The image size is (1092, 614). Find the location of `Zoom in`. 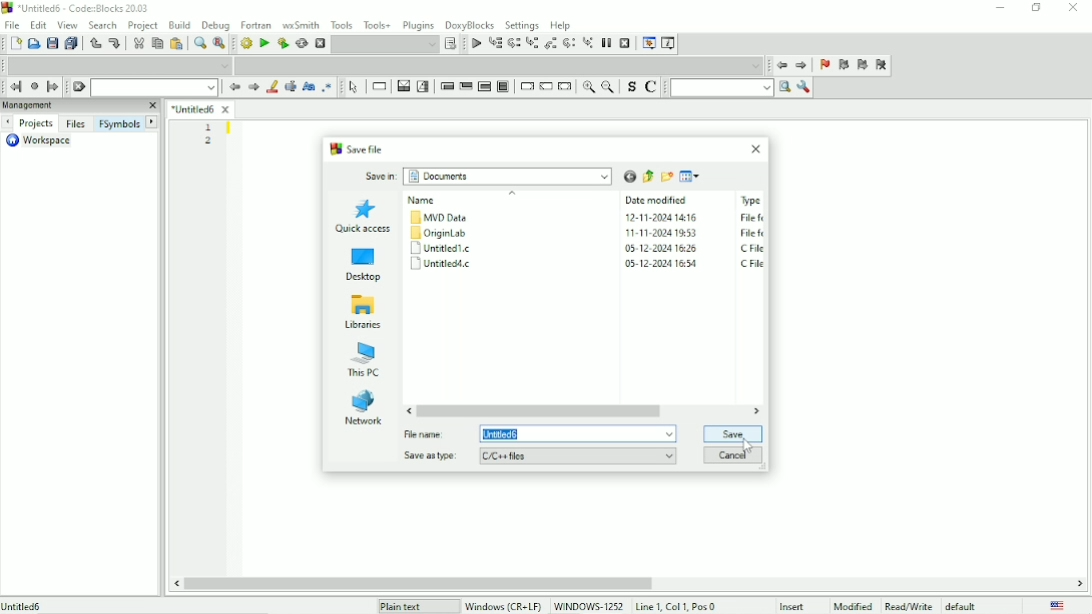

Zoom in is located at coordinates (590, 88).